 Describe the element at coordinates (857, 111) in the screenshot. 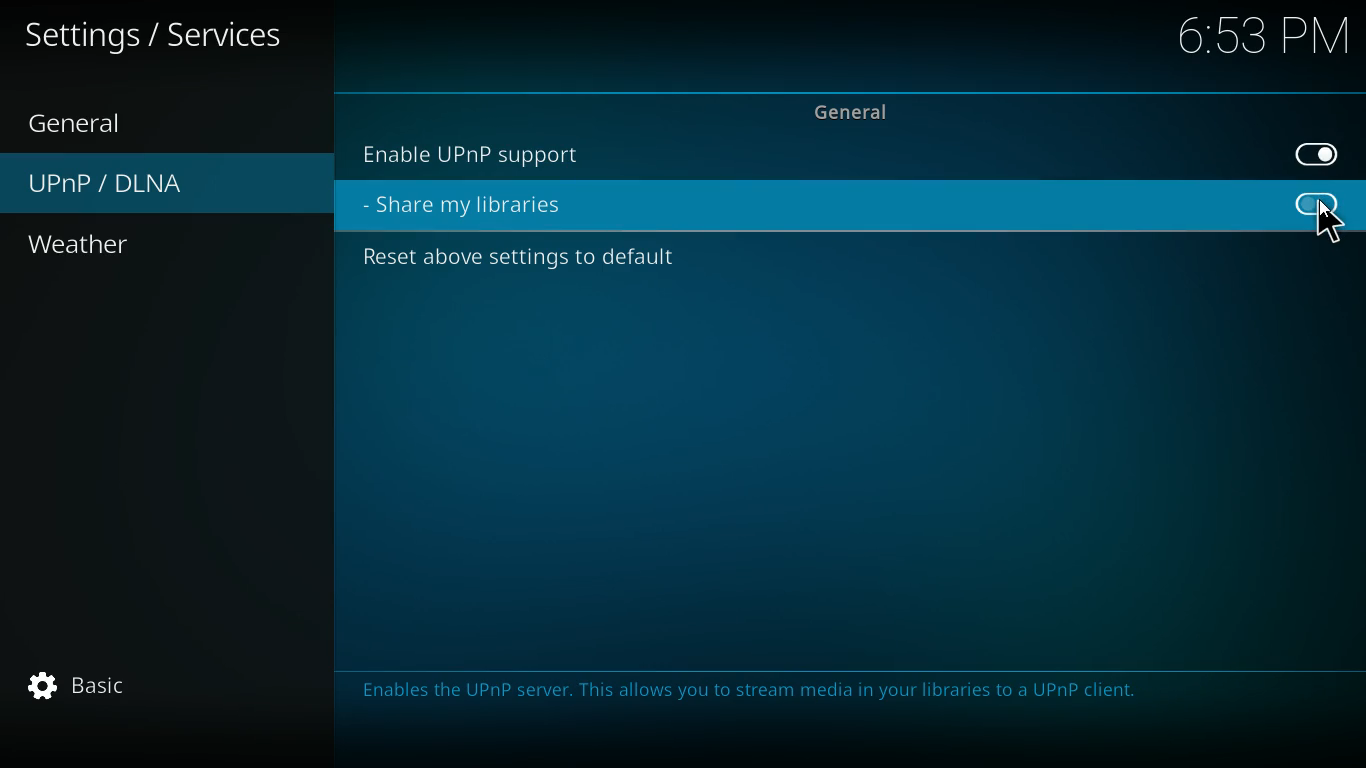

I see `general ` at that location.